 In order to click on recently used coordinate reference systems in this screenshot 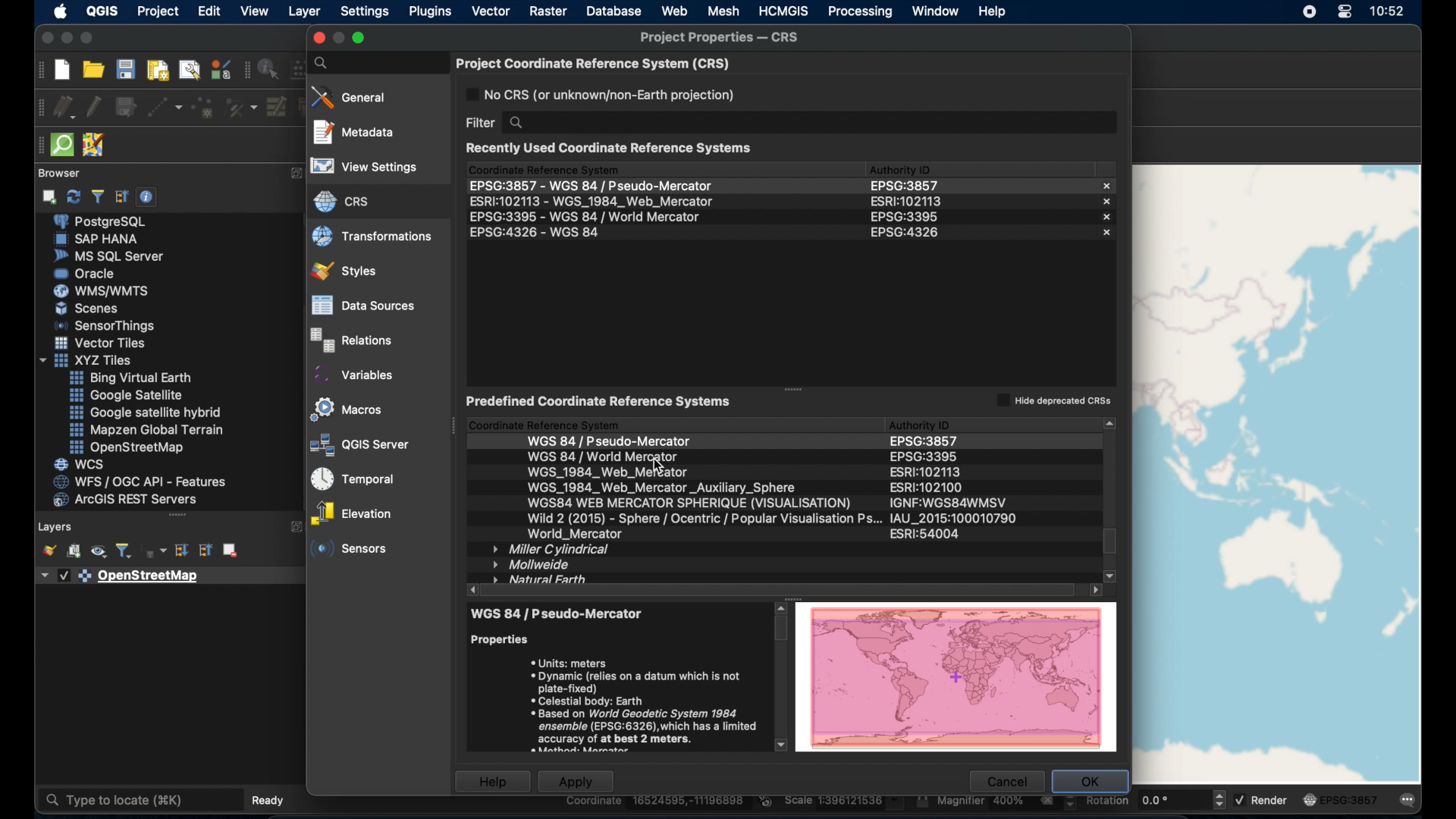, I will do `click(611, 149)`.